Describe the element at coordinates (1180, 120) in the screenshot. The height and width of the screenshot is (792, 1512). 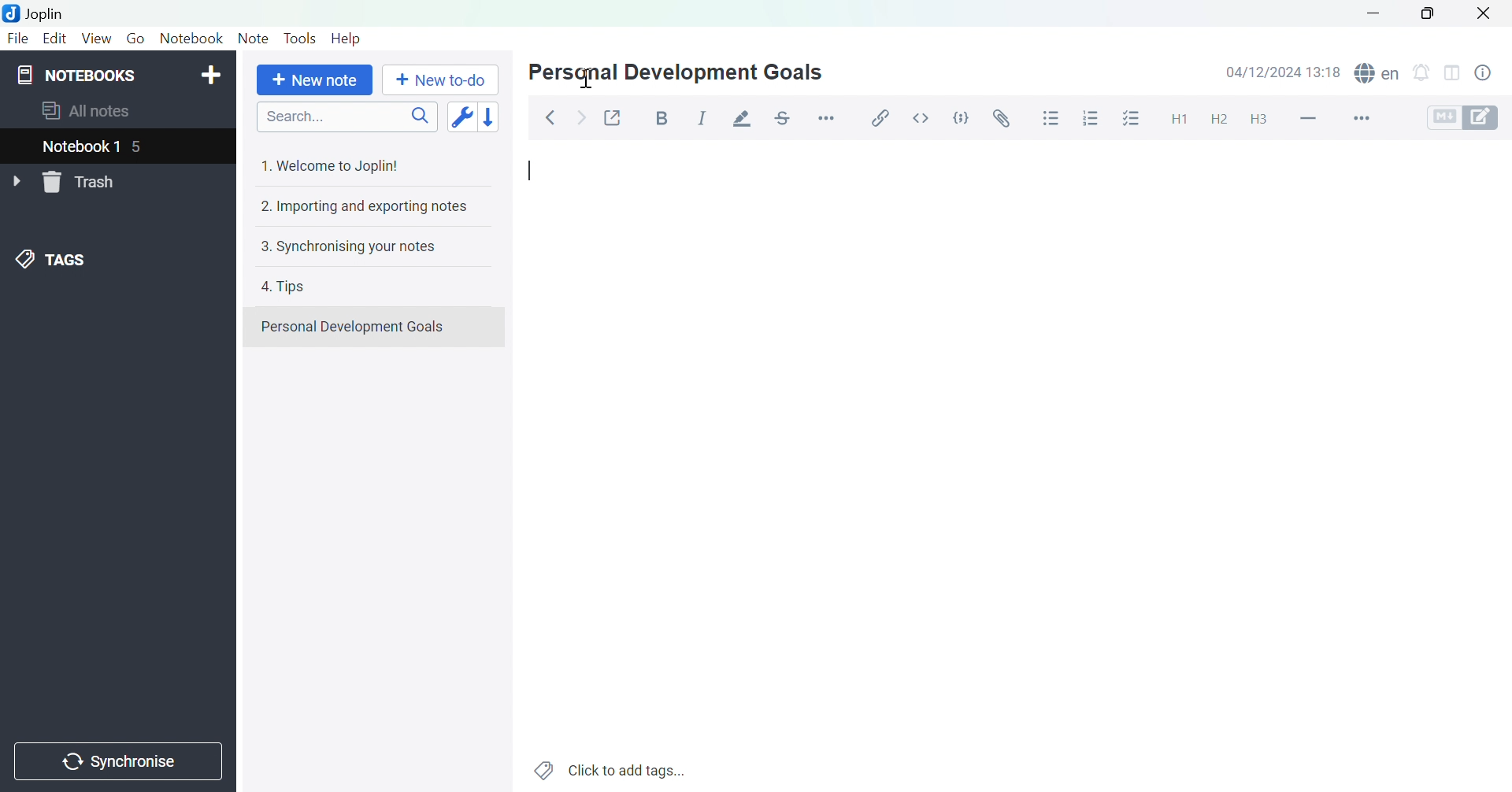
I see `Heading 1` at that location.